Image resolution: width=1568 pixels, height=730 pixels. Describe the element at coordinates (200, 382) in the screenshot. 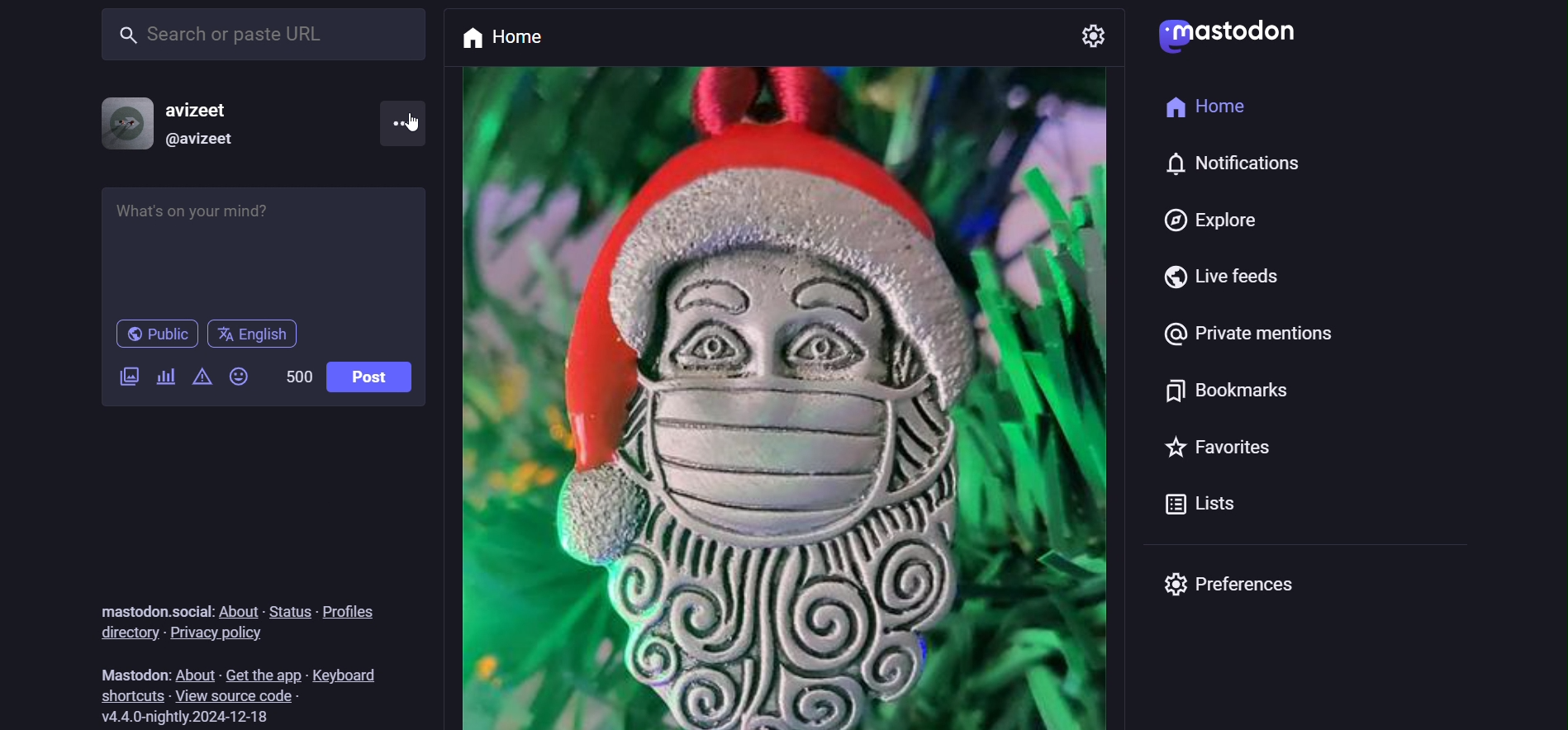

I see `content warning` at that location.